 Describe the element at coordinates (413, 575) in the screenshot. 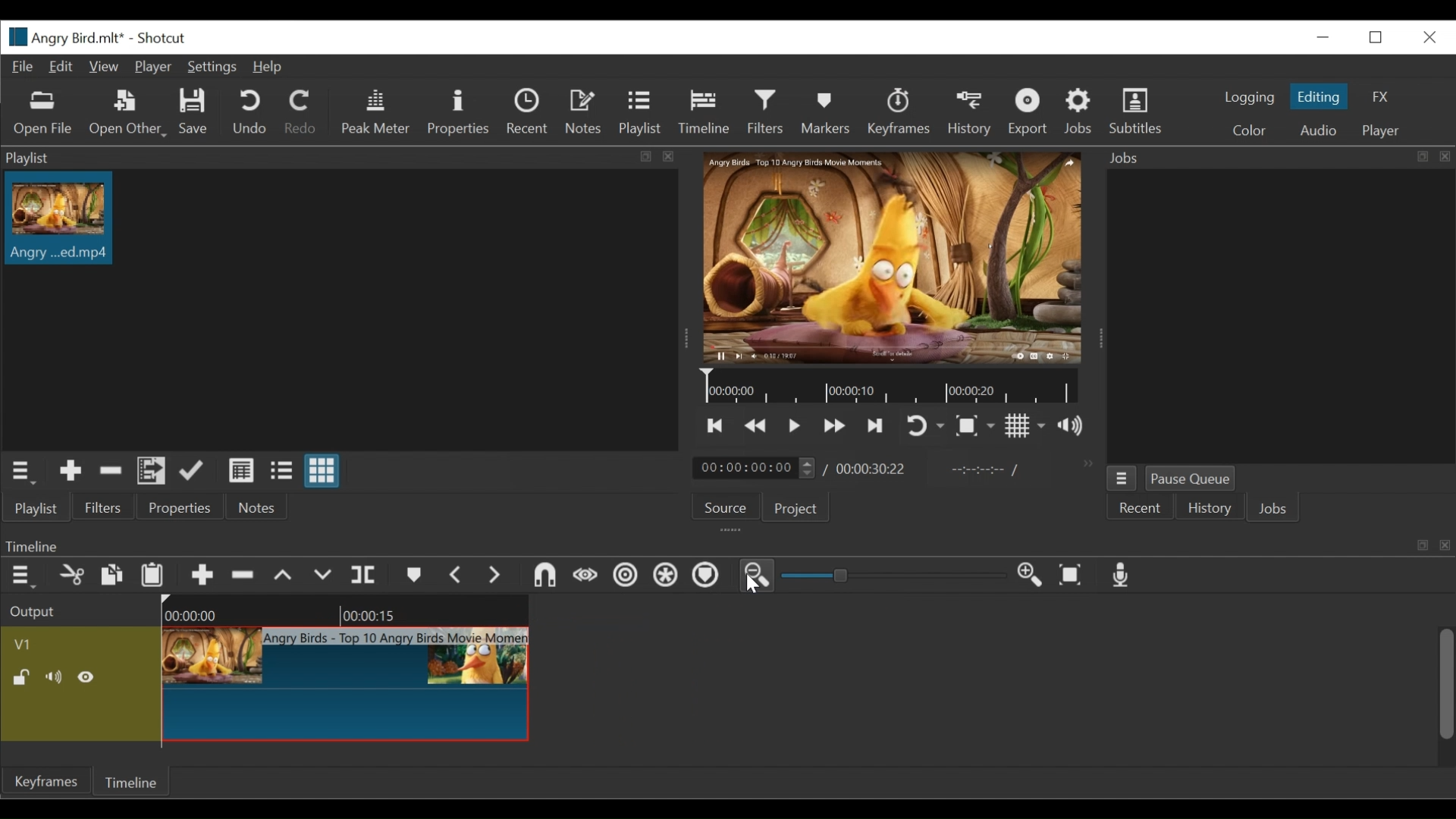

I see `Markers` at that location.